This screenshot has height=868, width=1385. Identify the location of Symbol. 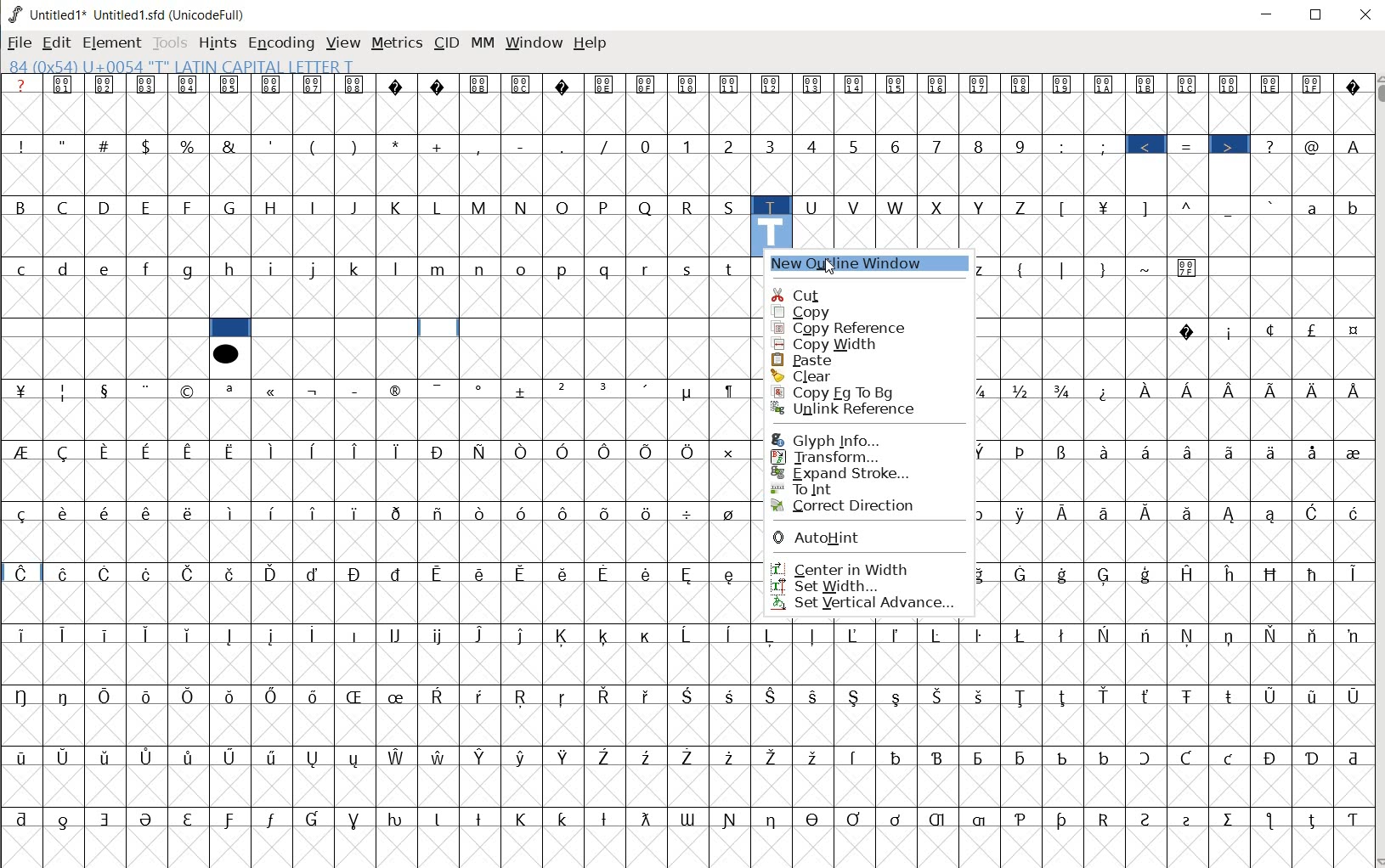
(1313, 757).